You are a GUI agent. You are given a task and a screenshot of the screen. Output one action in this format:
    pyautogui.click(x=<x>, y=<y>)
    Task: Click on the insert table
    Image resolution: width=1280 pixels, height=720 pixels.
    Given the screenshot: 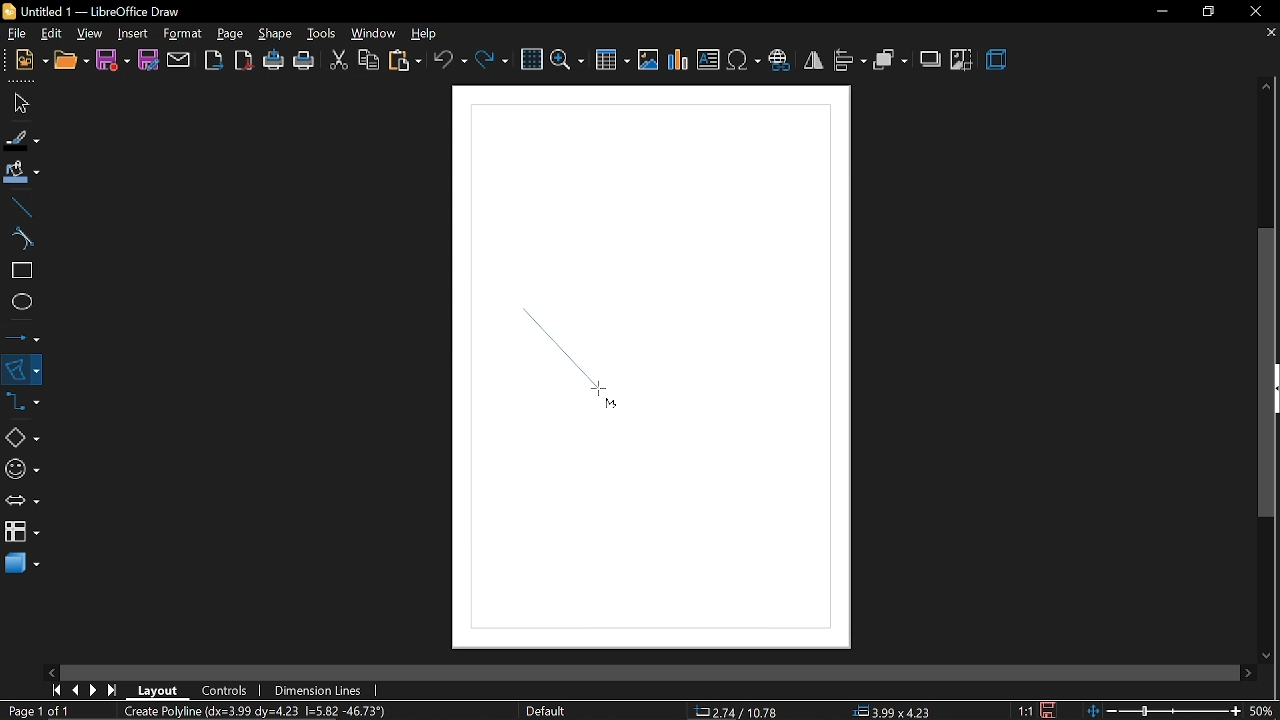 What is the action you would take?
    pyautogui.click(x=612, y=59)
    